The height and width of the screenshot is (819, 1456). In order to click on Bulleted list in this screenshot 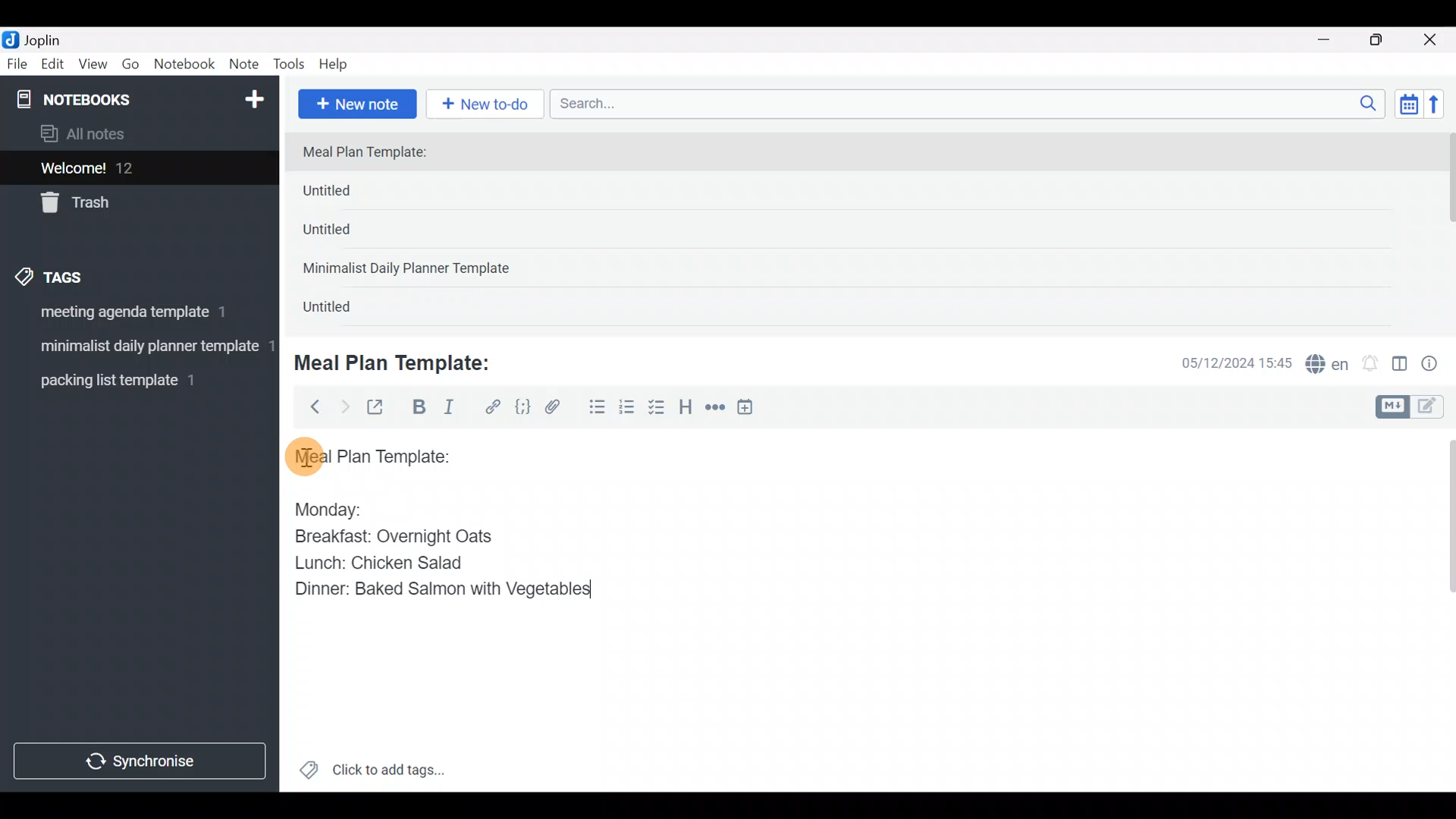, I will do `click(594, 408)`.